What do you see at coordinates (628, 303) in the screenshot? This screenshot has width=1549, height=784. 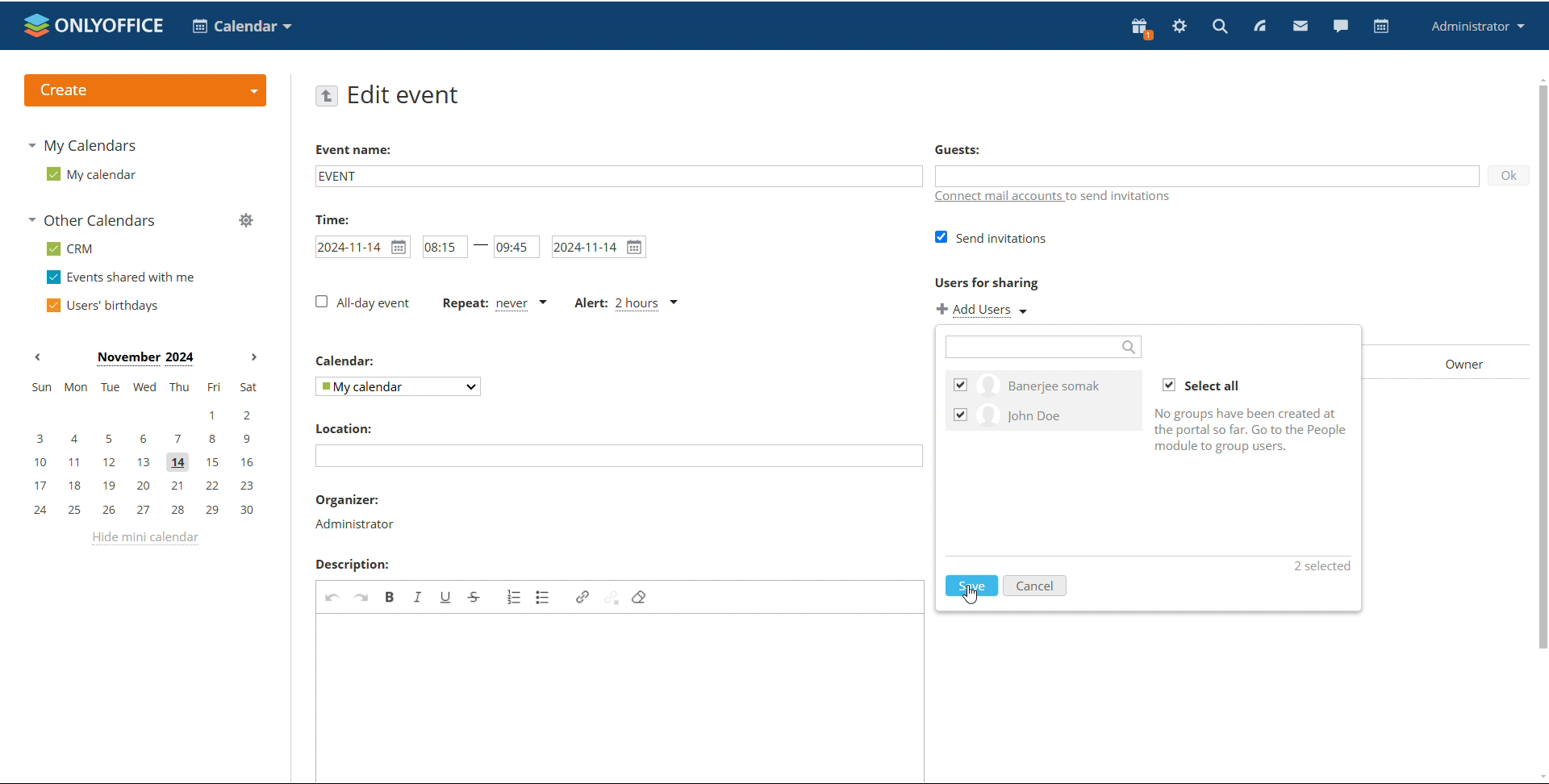 I see `alert type` at bounding box center [628, 303].